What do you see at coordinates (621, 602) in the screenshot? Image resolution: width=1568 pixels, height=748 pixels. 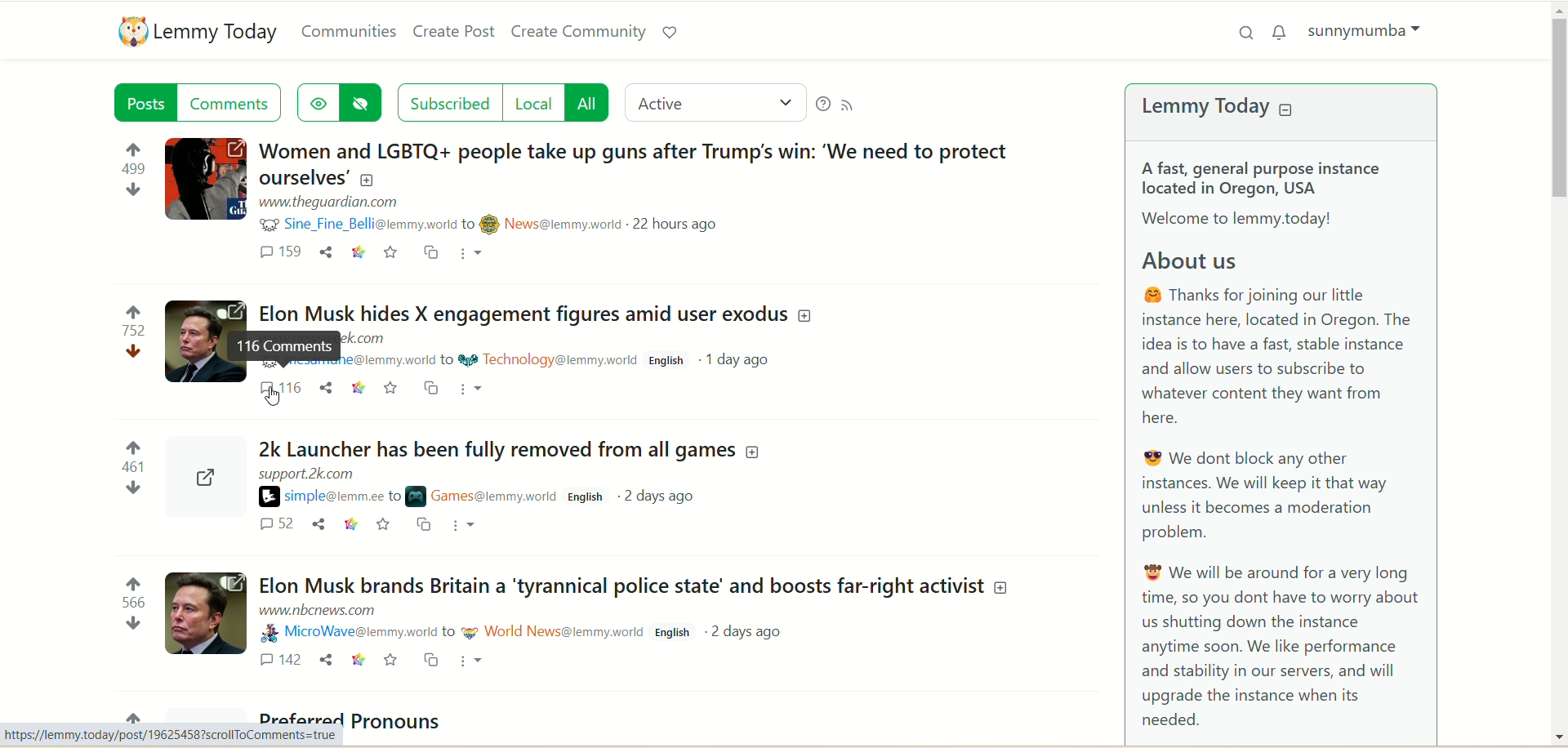 I see `Elon Musk brands Britain a ‘tyrannical police state’ and boosts far-right activist
www.nbcnews.com
& MicroWave@lemmy.world to %g World News@lemmy.world English - 2 days ago` at bounding box center [621, 602].